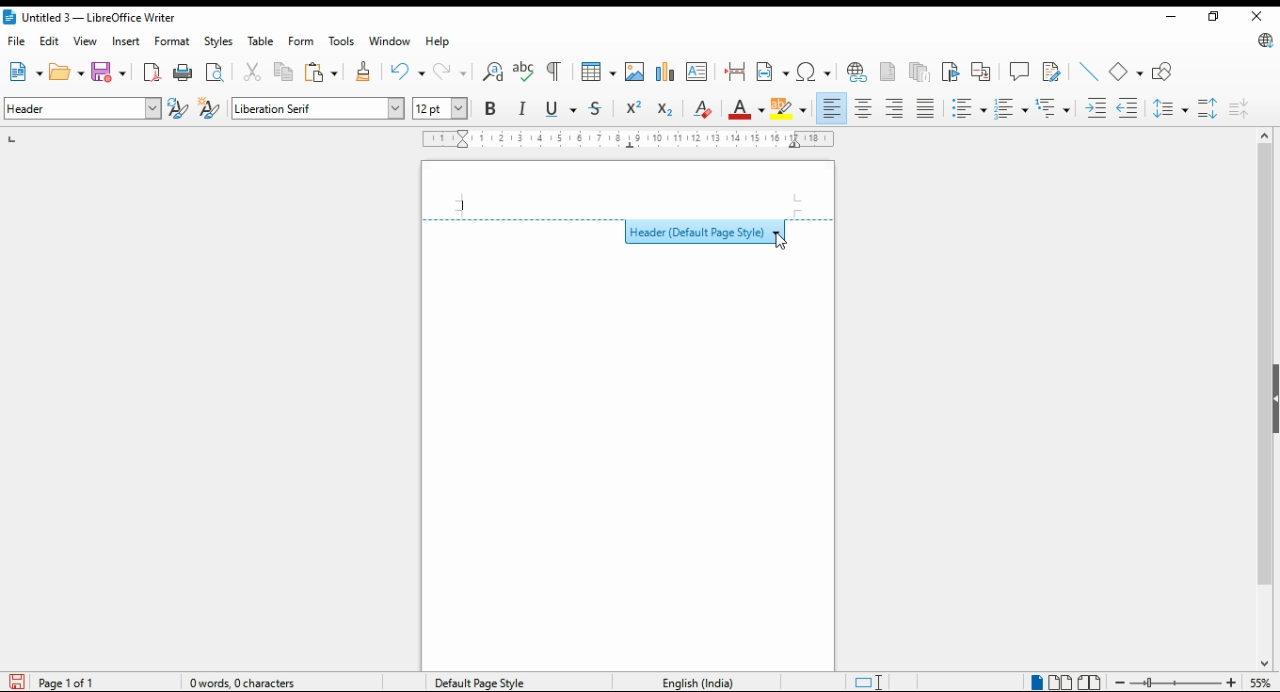 This screenshot has width=1280, height=692. What do you see at coordinates (51, 41) in the screenshot?
I see `dit` at bounding box center [51, 41].